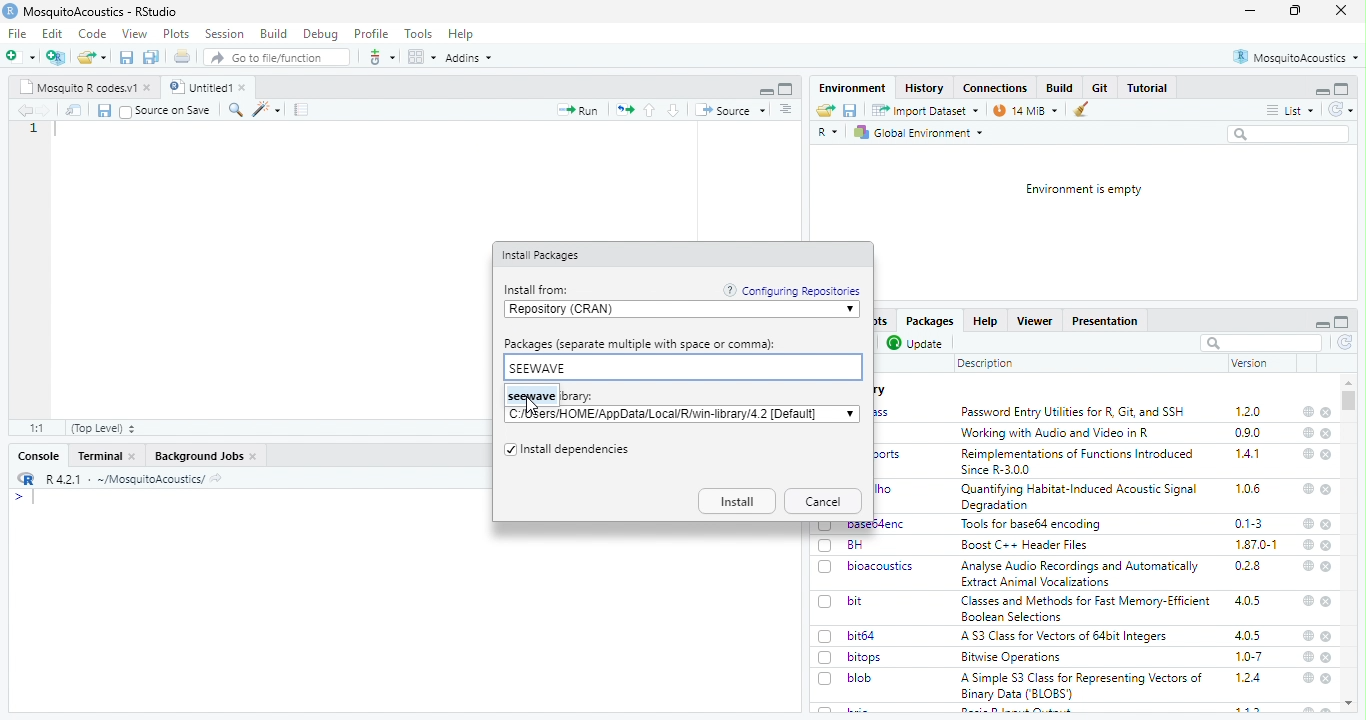  What do you see at coordinates (1249, 412) in the screenshot?
I see `120` at bounding box center [1249, 412].